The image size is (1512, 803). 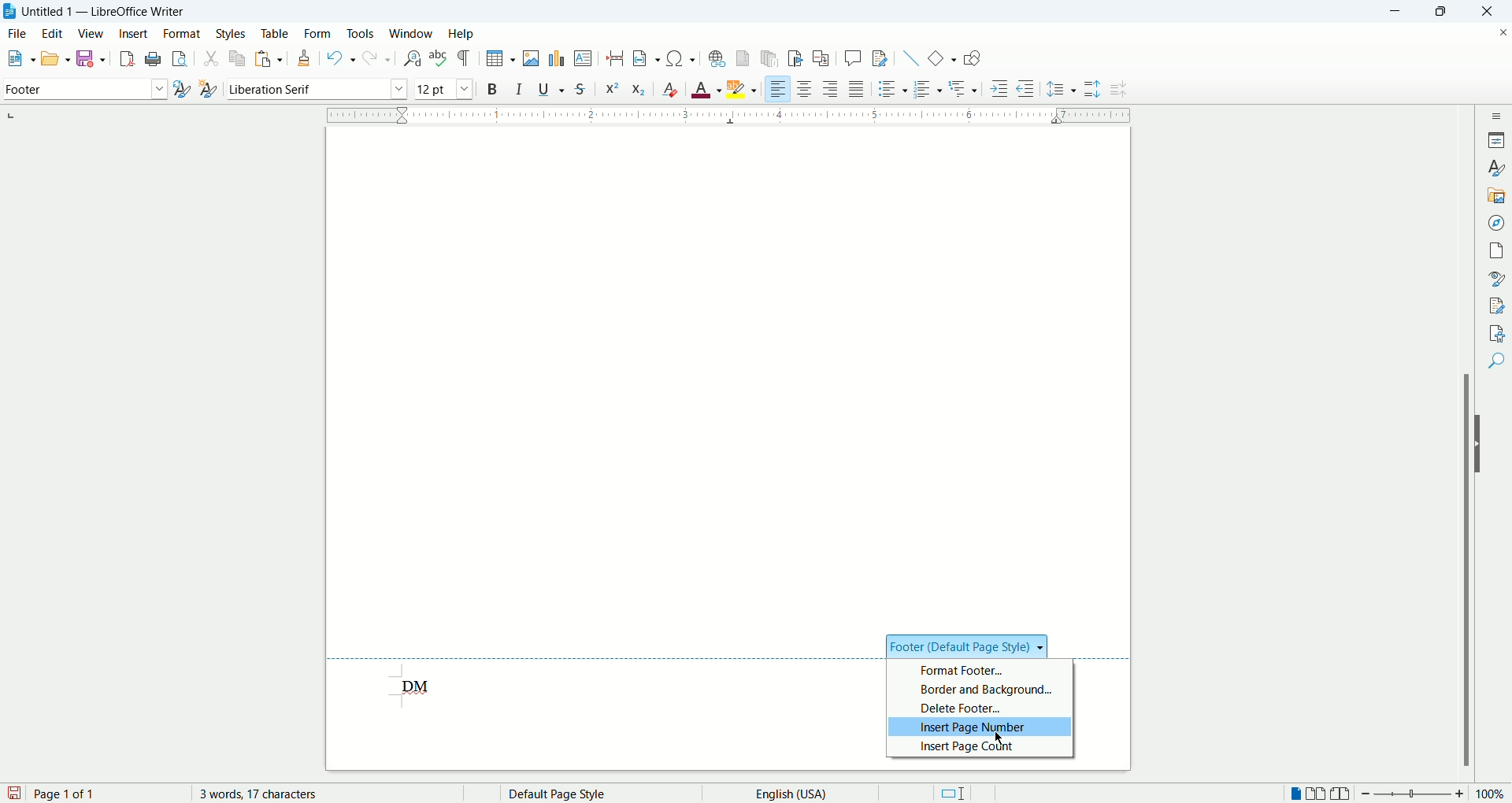 I want to click on increase indent, so click(x=1000, y=88).